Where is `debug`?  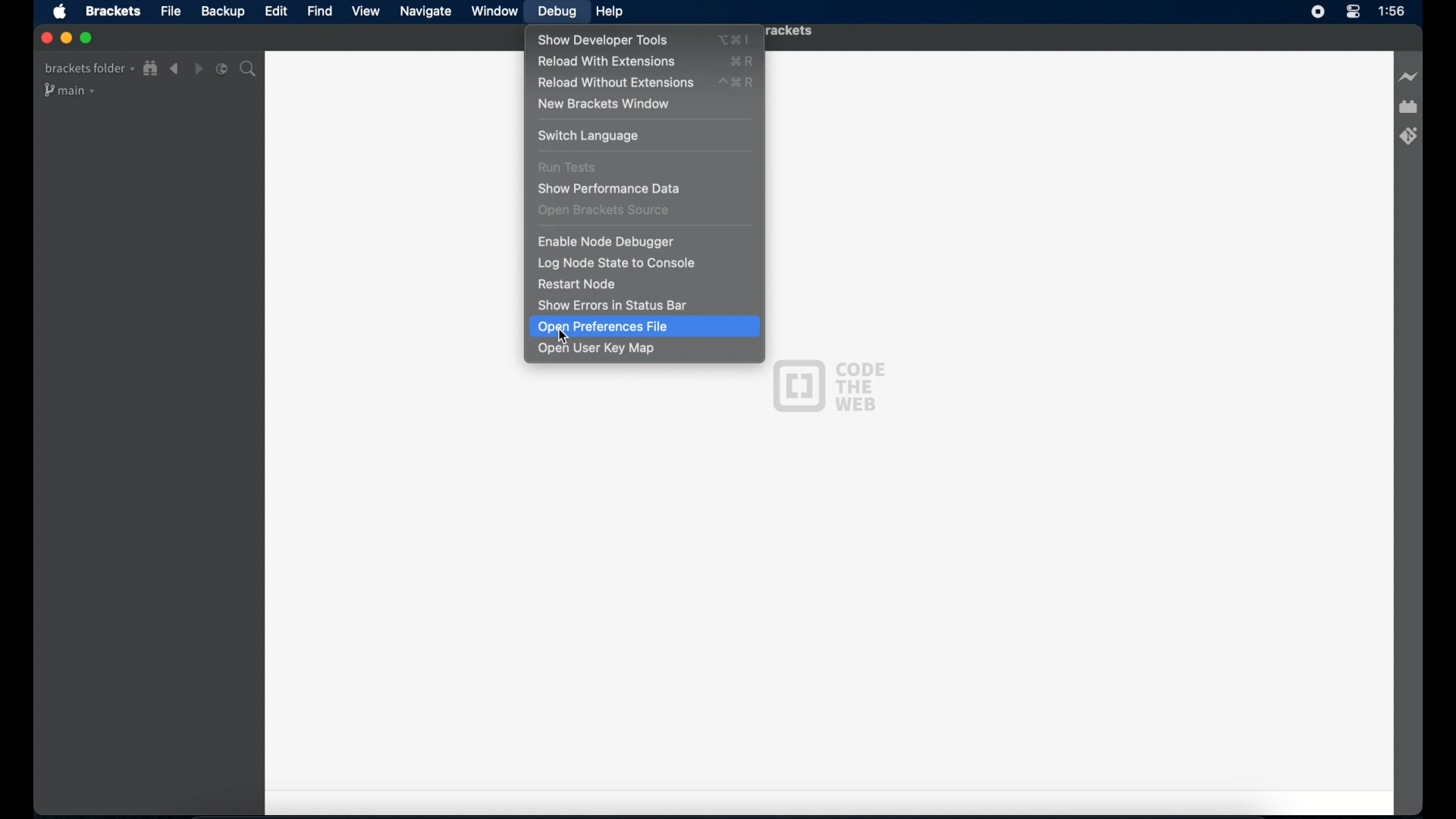 debug is located at coordinates (557, 11).